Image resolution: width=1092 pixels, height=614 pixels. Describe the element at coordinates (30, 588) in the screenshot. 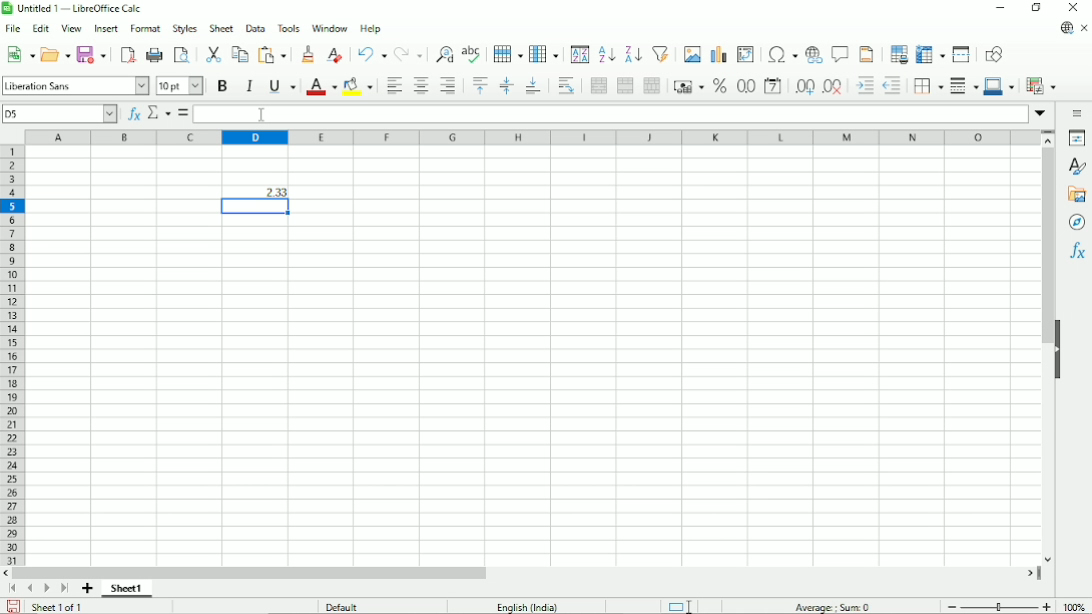

I see `Scroll to previous sheet` at that location.